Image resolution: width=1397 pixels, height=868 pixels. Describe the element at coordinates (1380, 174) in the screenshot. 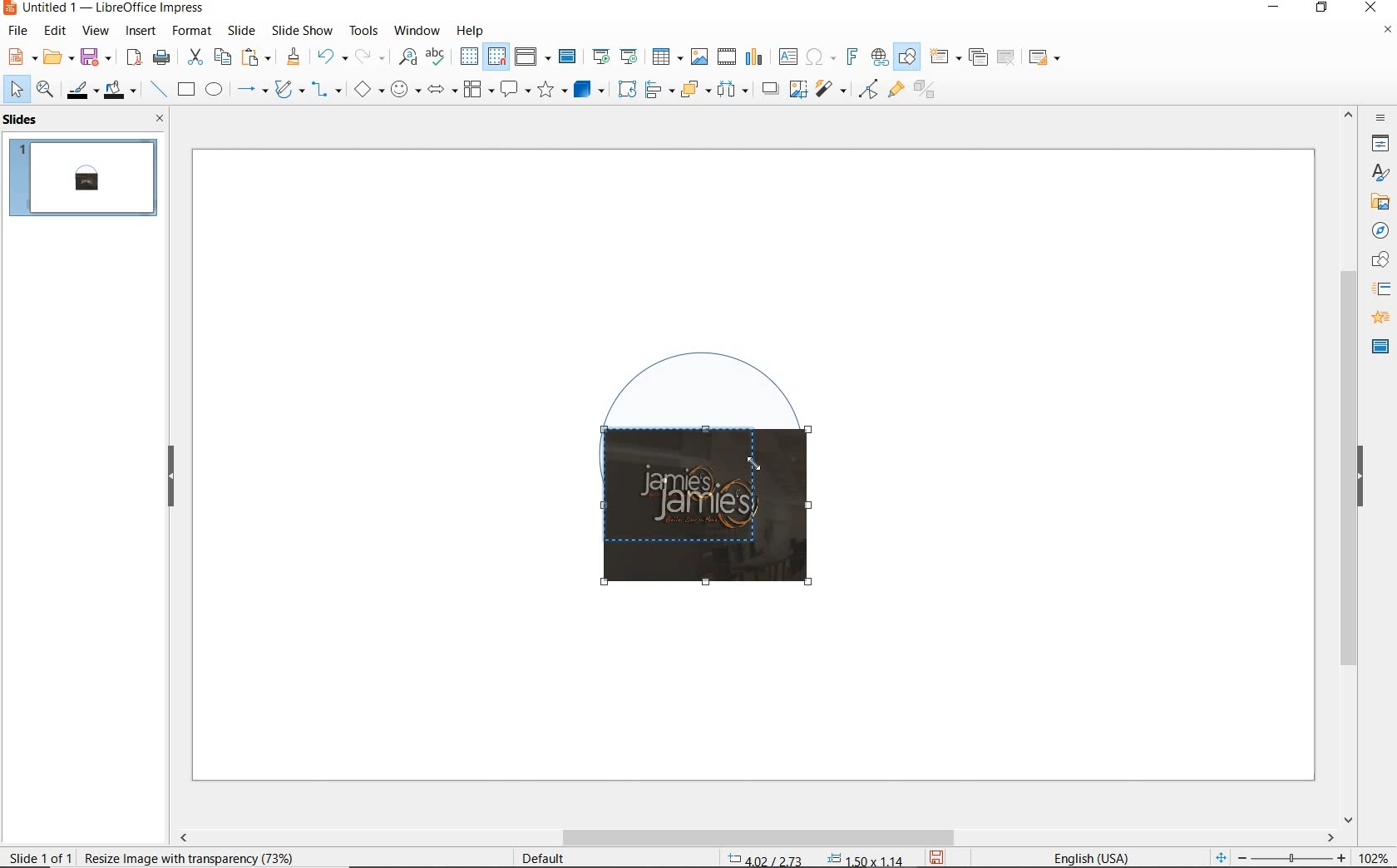

I see `styles` at that location.